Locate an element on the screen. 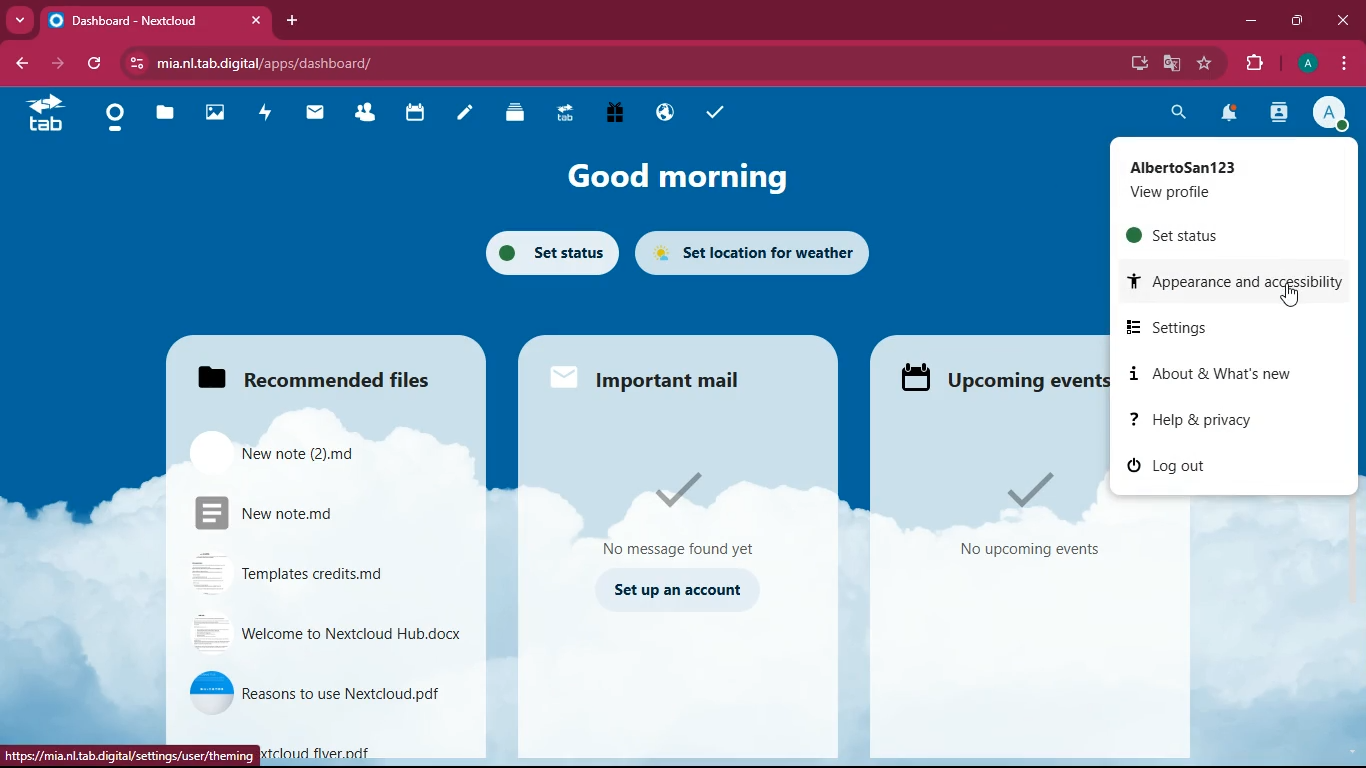 The image size is (1366, 768). activity is located at coordinates (1277, 112).